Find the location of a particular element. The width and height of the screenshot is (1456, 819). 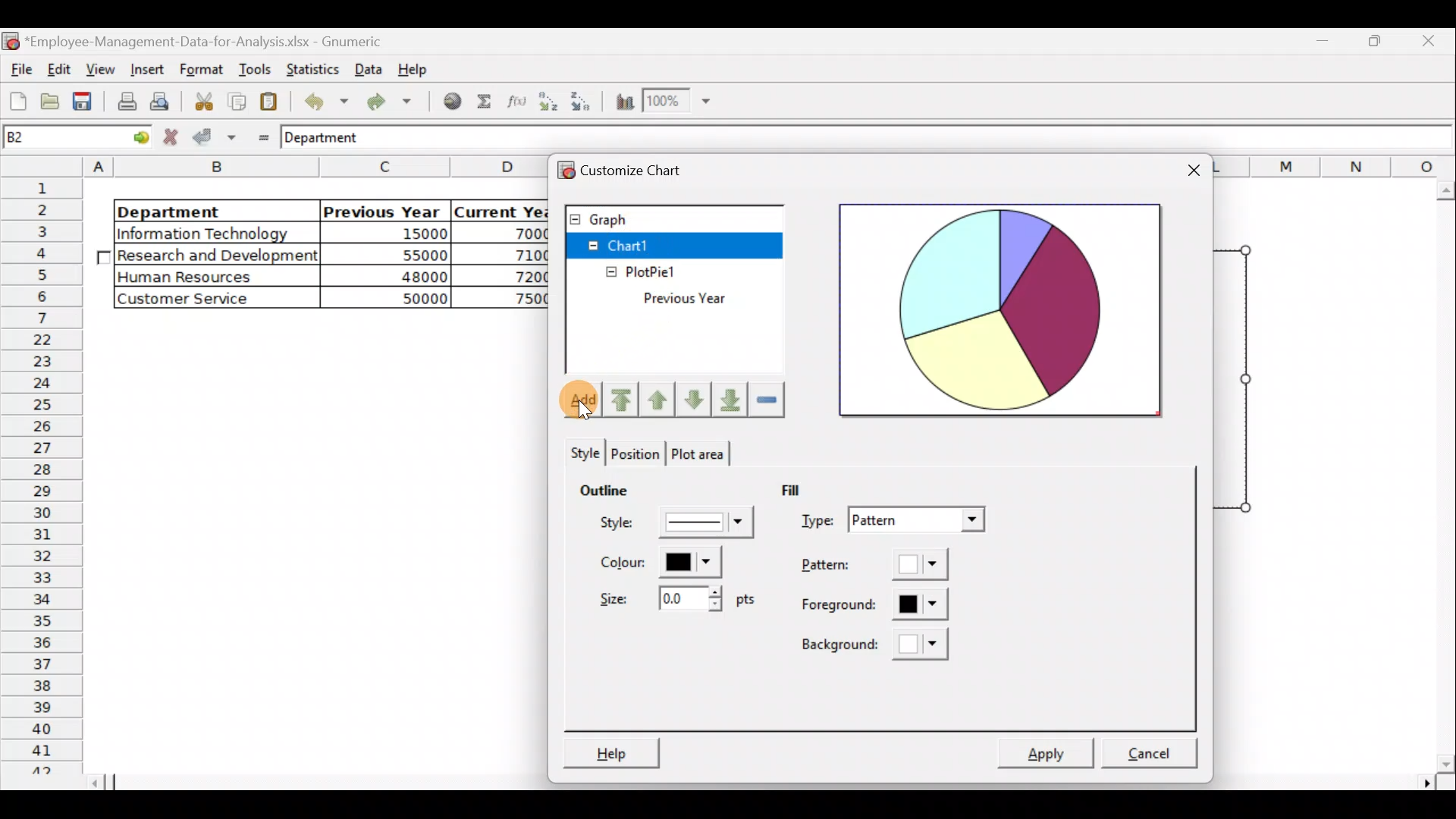

Preview is located at coordinates (1002, 309).